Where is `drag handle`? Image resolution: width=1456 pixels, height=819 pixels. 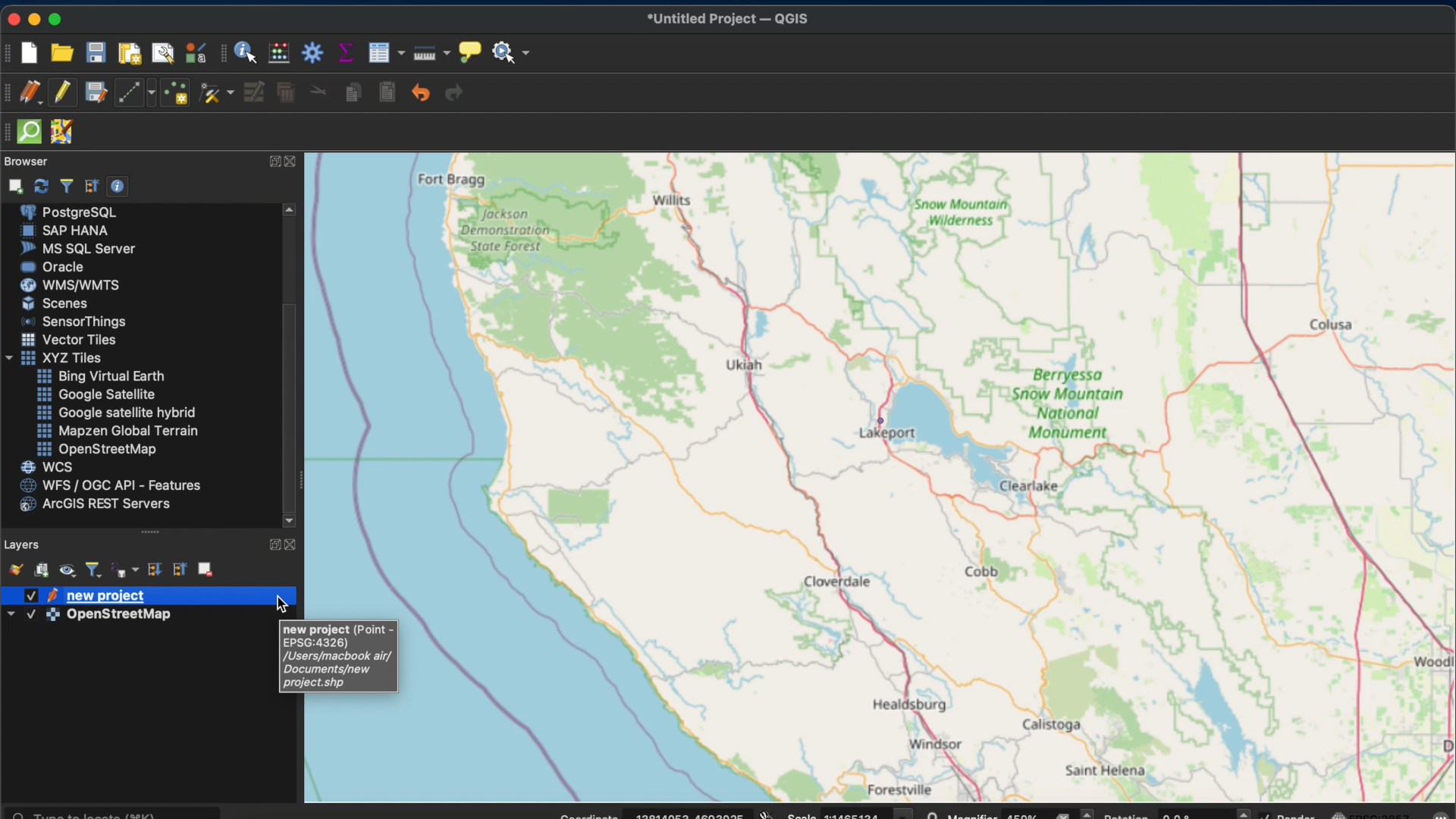
drag handle is located at coordinates (9, 133).